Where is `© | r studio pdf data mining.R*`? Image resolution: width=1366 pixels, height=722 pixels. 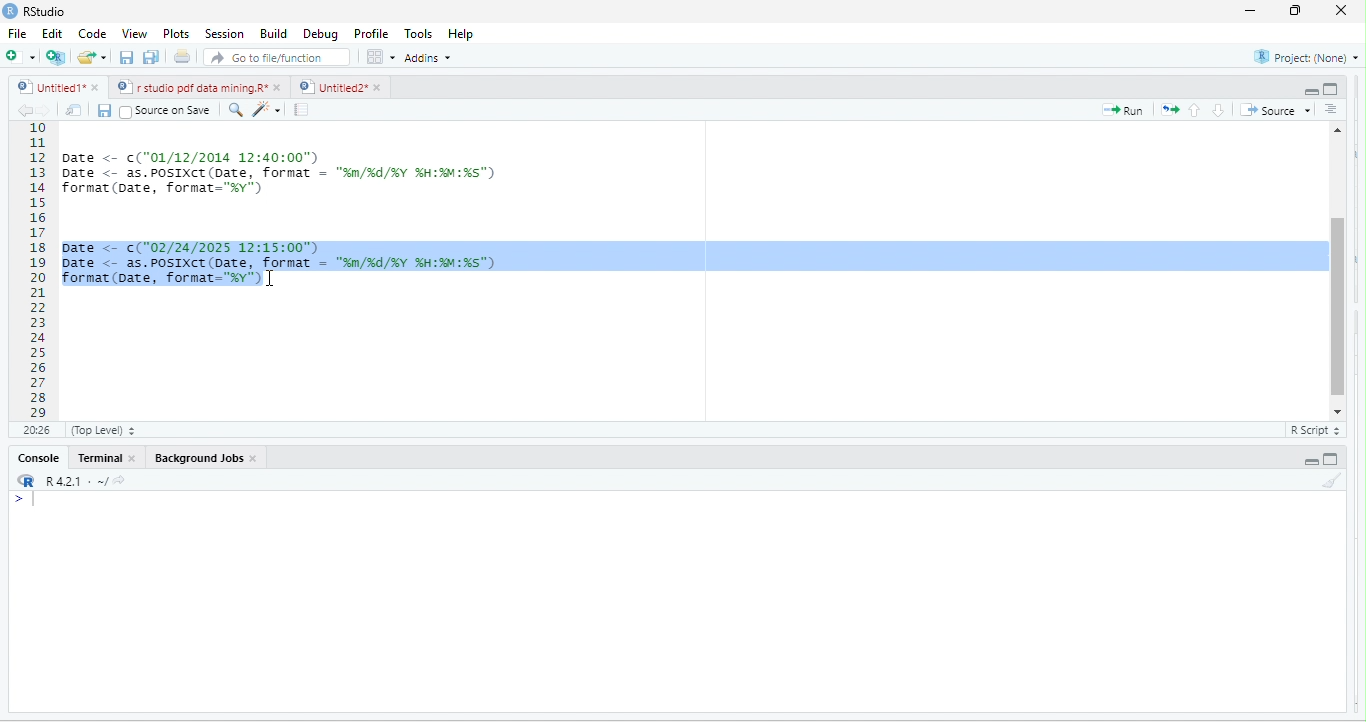
© | r studio pdf data mining.R* is located at coordinates (193, 88).